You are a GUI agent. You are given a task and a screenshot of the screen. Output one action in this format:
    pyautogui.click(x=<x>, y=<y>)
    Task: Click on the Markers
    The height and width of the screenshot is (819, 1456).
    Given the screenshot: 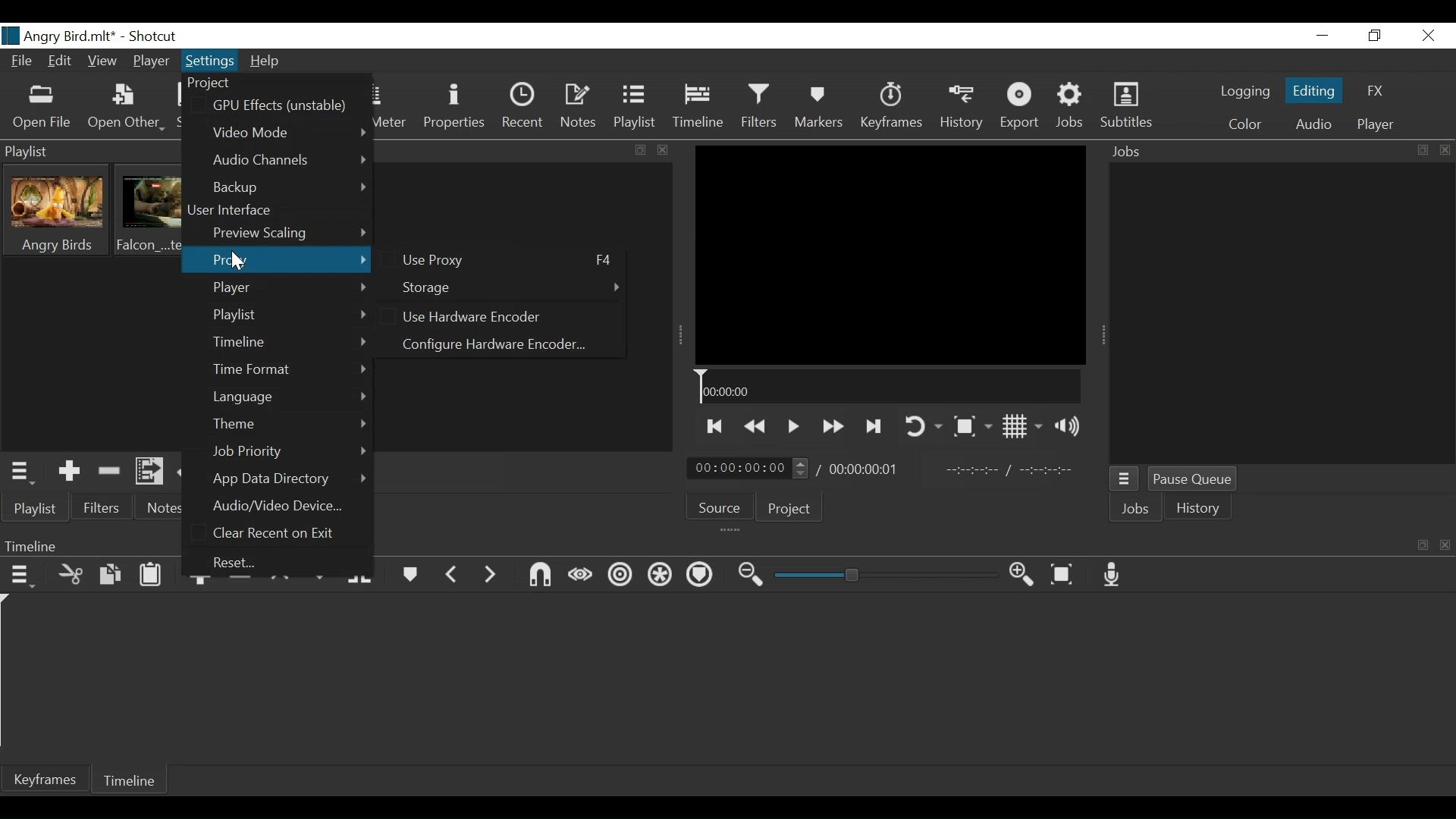 What is the action you would take?
    pyautogui.click(x=413, y=575)
    